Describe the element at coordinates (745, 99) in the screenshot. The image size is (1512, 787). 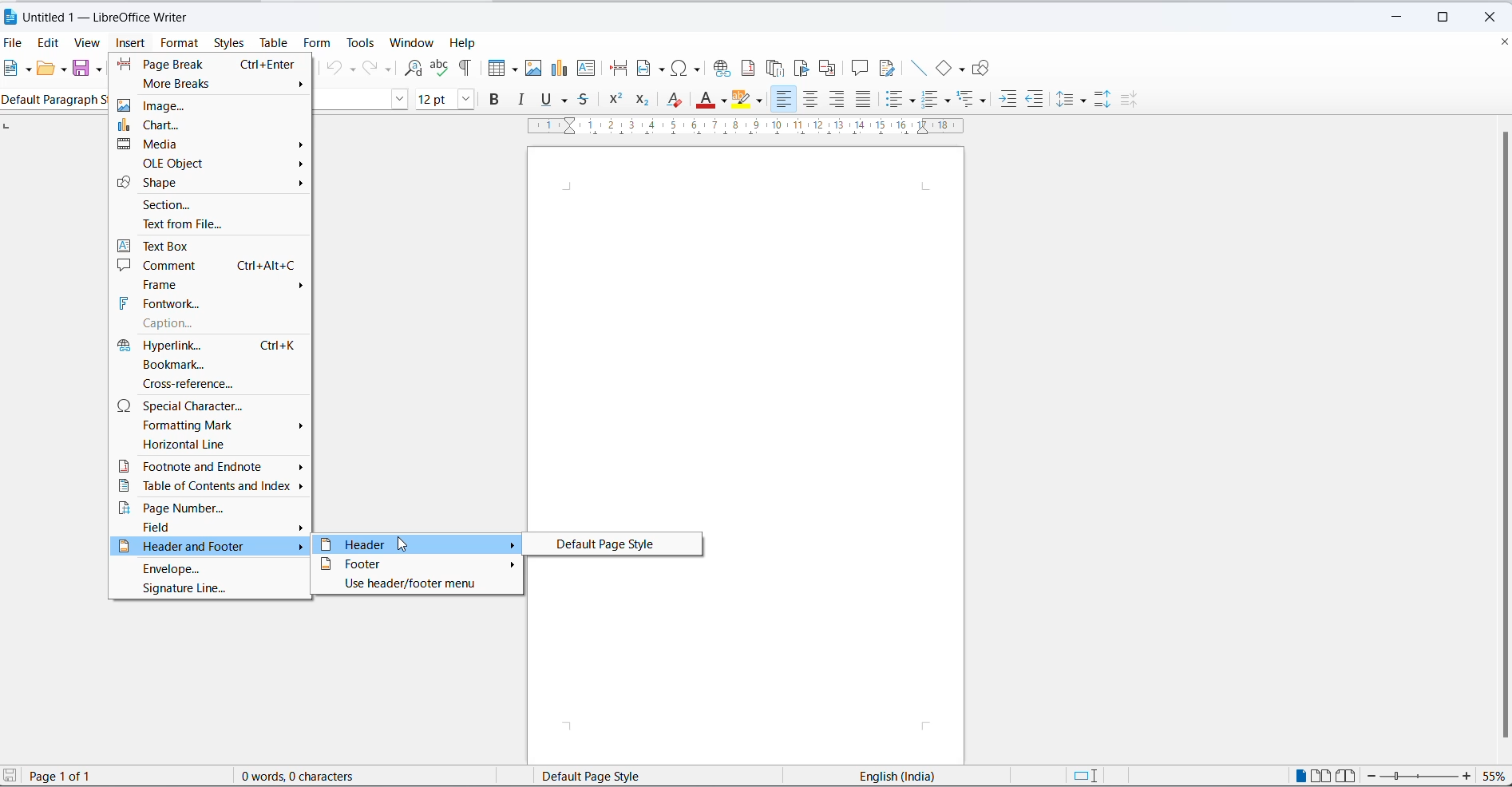
I see `character highlighting` at that location.